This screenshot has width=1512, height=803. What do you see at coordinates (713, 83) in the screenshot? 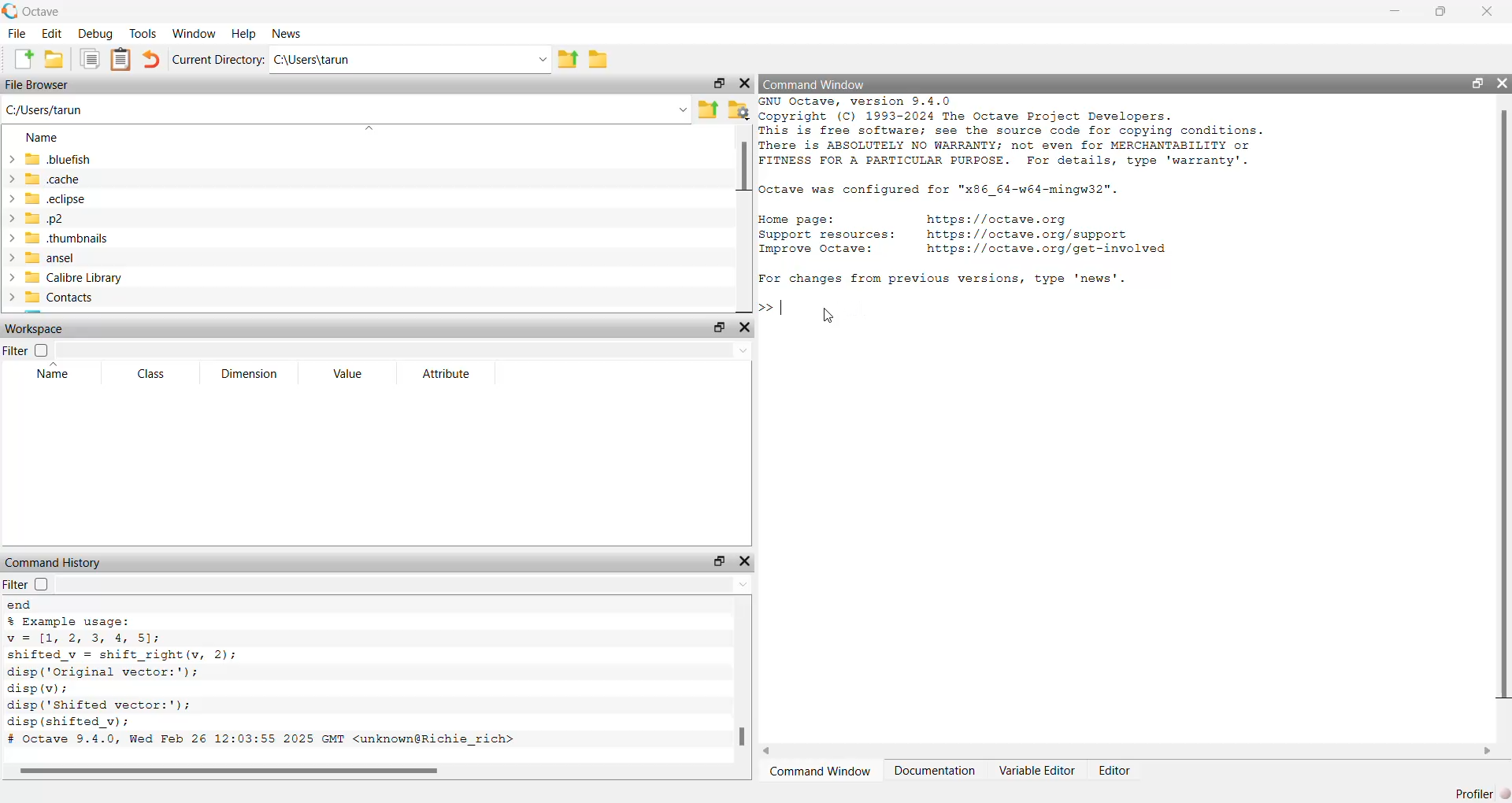
I see `unlock widget` at bounding box center [713, 83].